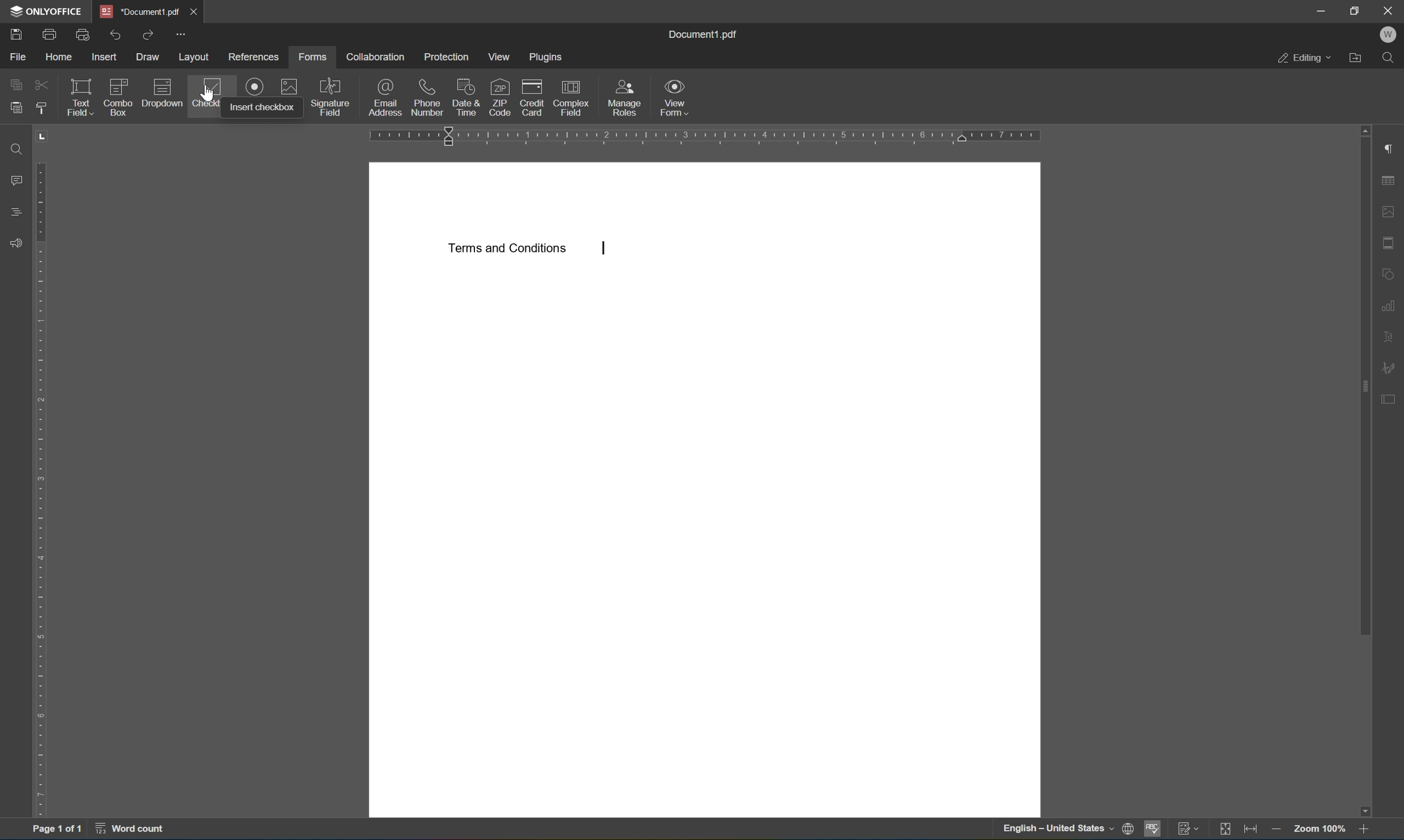  What do you see at coordinates (83, 34) in the screenshot?
I see `quick print` at bounding box center [83, 34].